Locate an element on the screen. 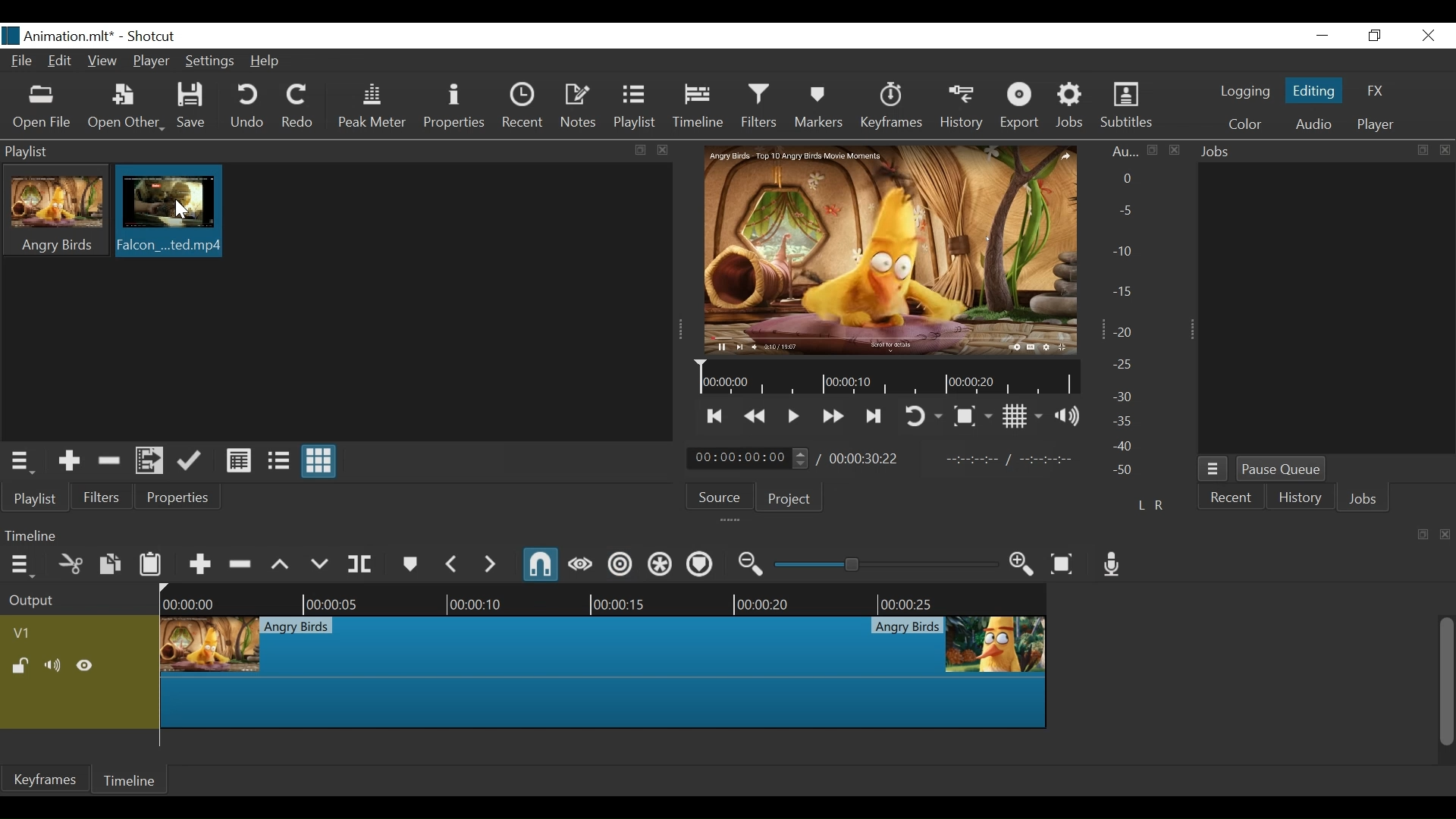 This screenshot has height=819, width=1456. Filters is located at coordinates (104, 496).